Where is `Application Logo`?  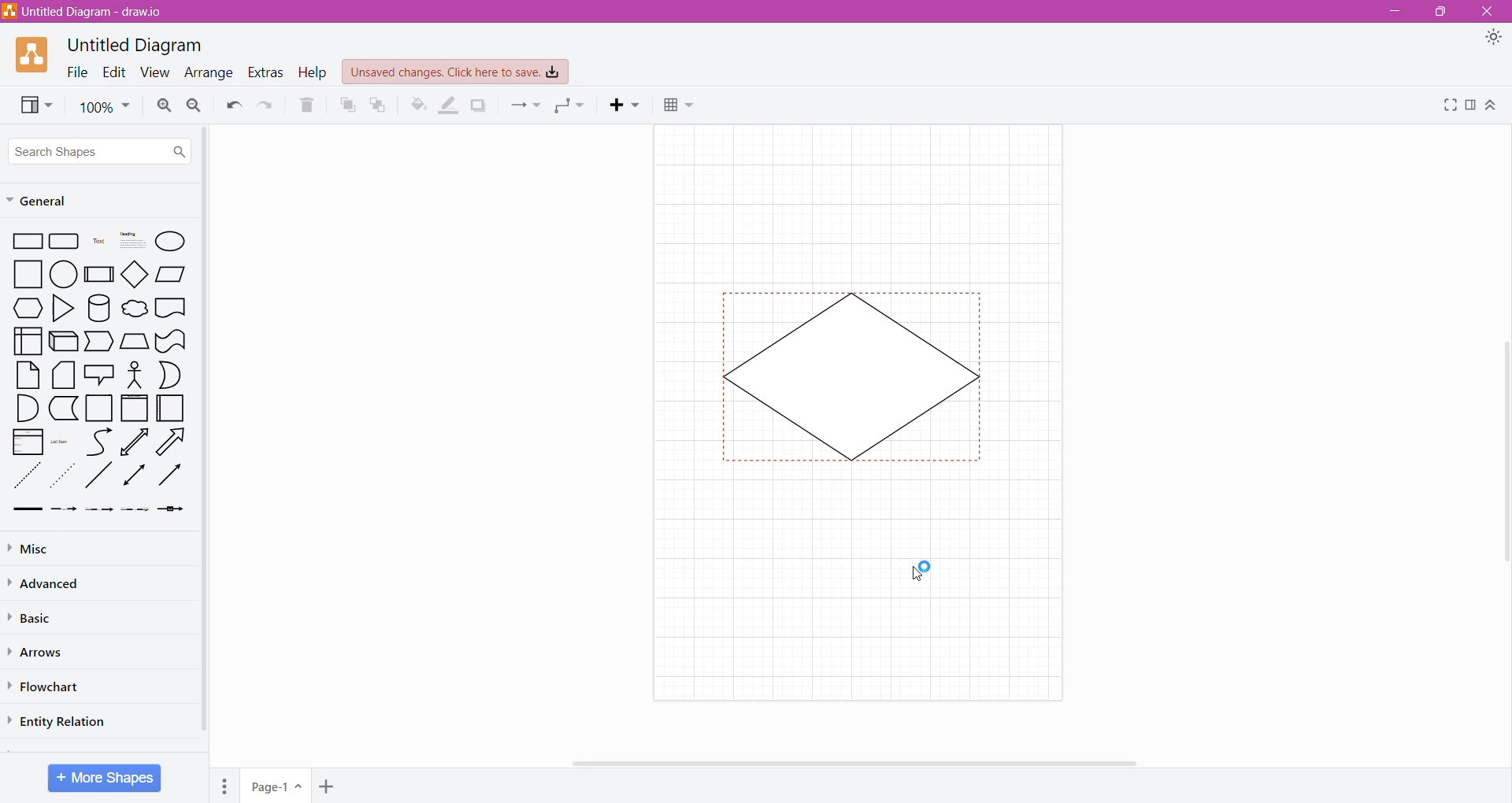
Application Logo is located at coordinates (33, 55).